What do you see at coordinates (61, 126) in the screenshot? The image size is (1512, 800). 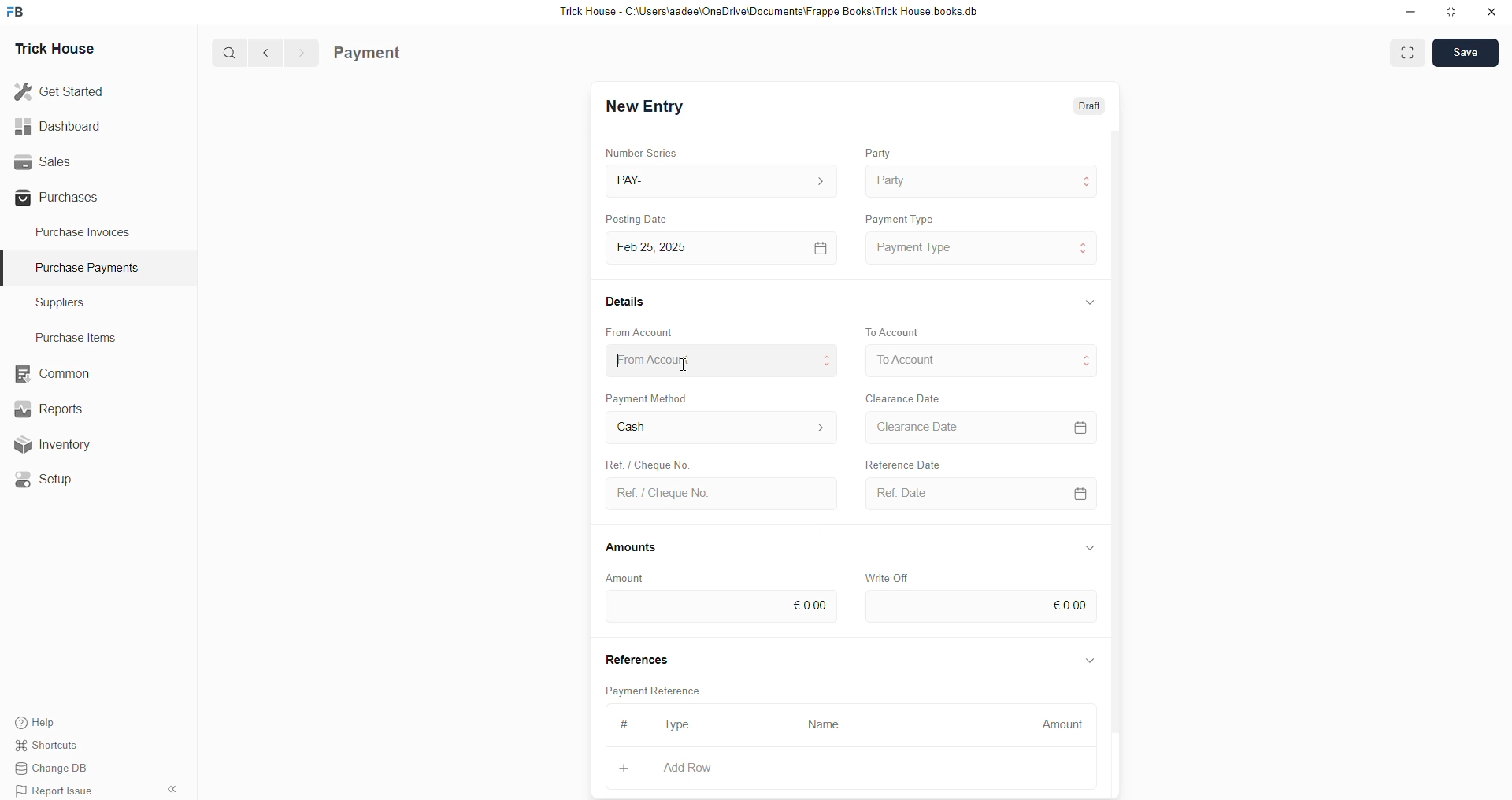 I see `Dashboard` at bounding box center [61, 126].